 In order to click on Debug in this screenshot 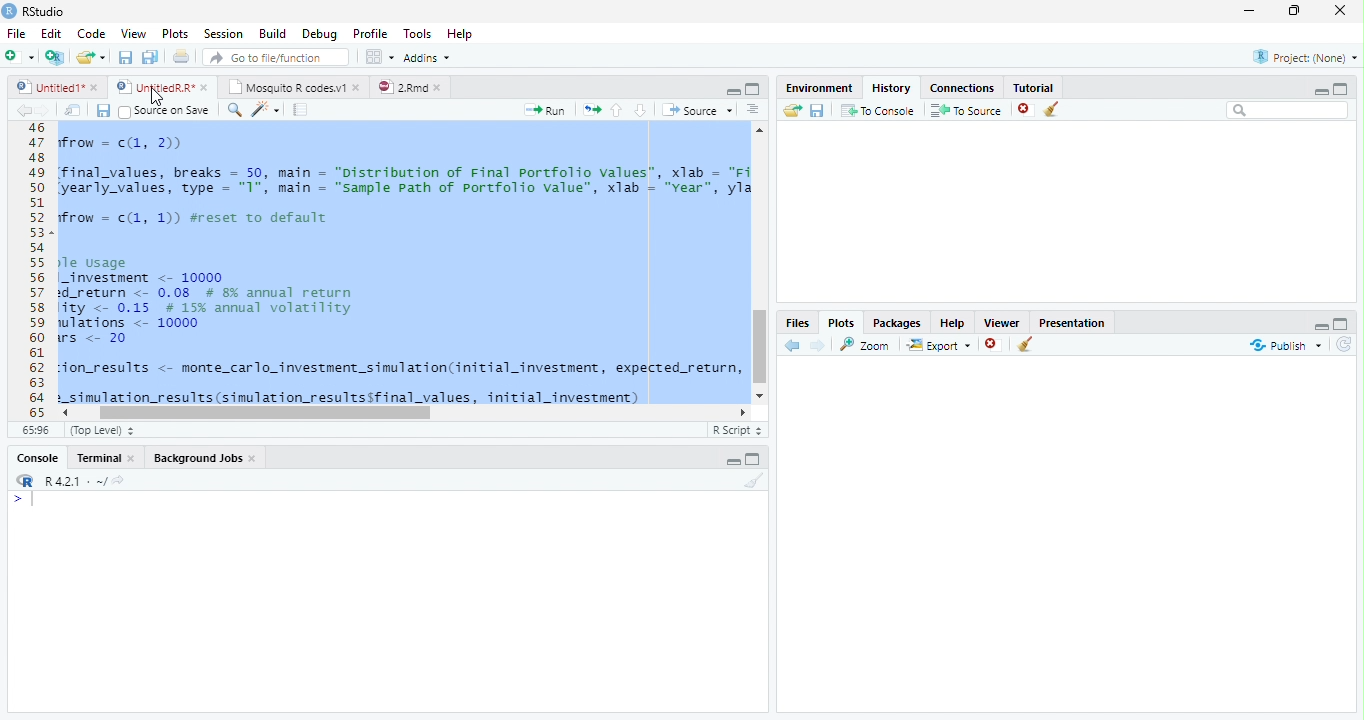, I will do `click(318, 34)`.